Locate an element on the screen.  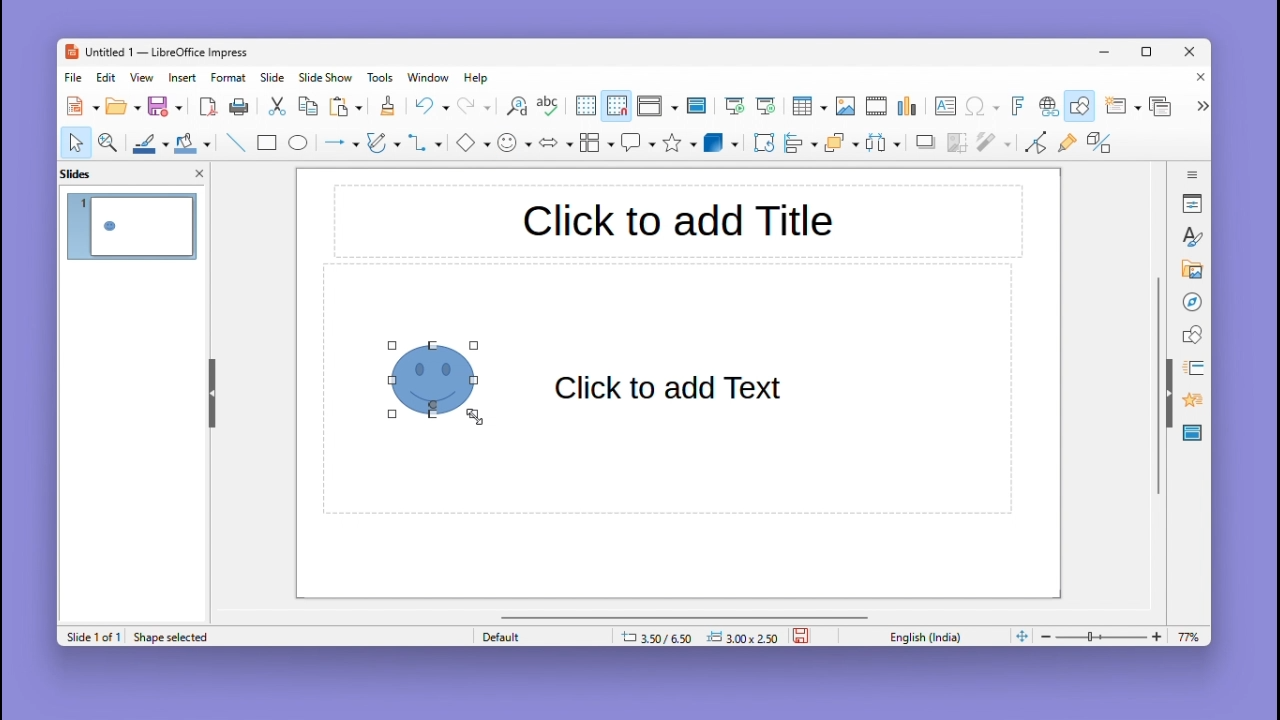
Styles is located at coordinates (1194, 236).